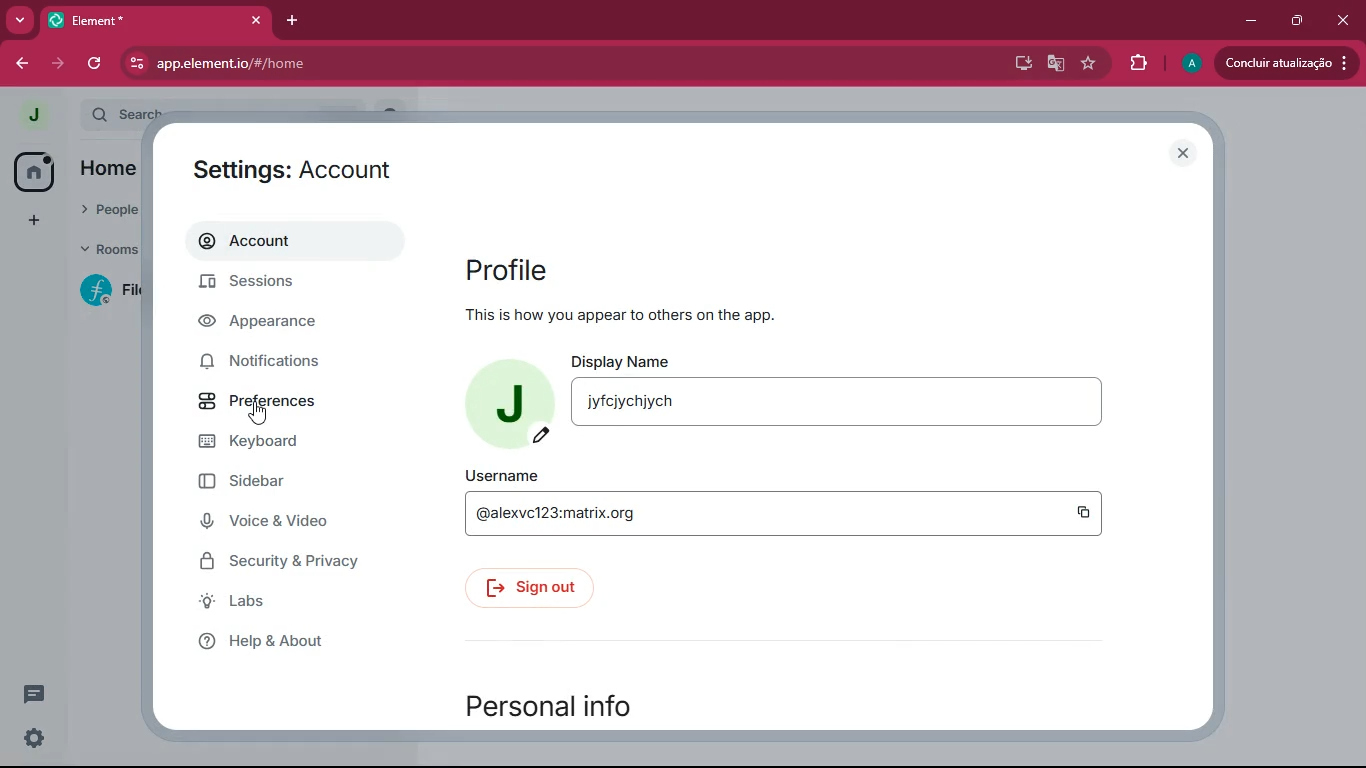  I want to click on close, so click(1182, 155).